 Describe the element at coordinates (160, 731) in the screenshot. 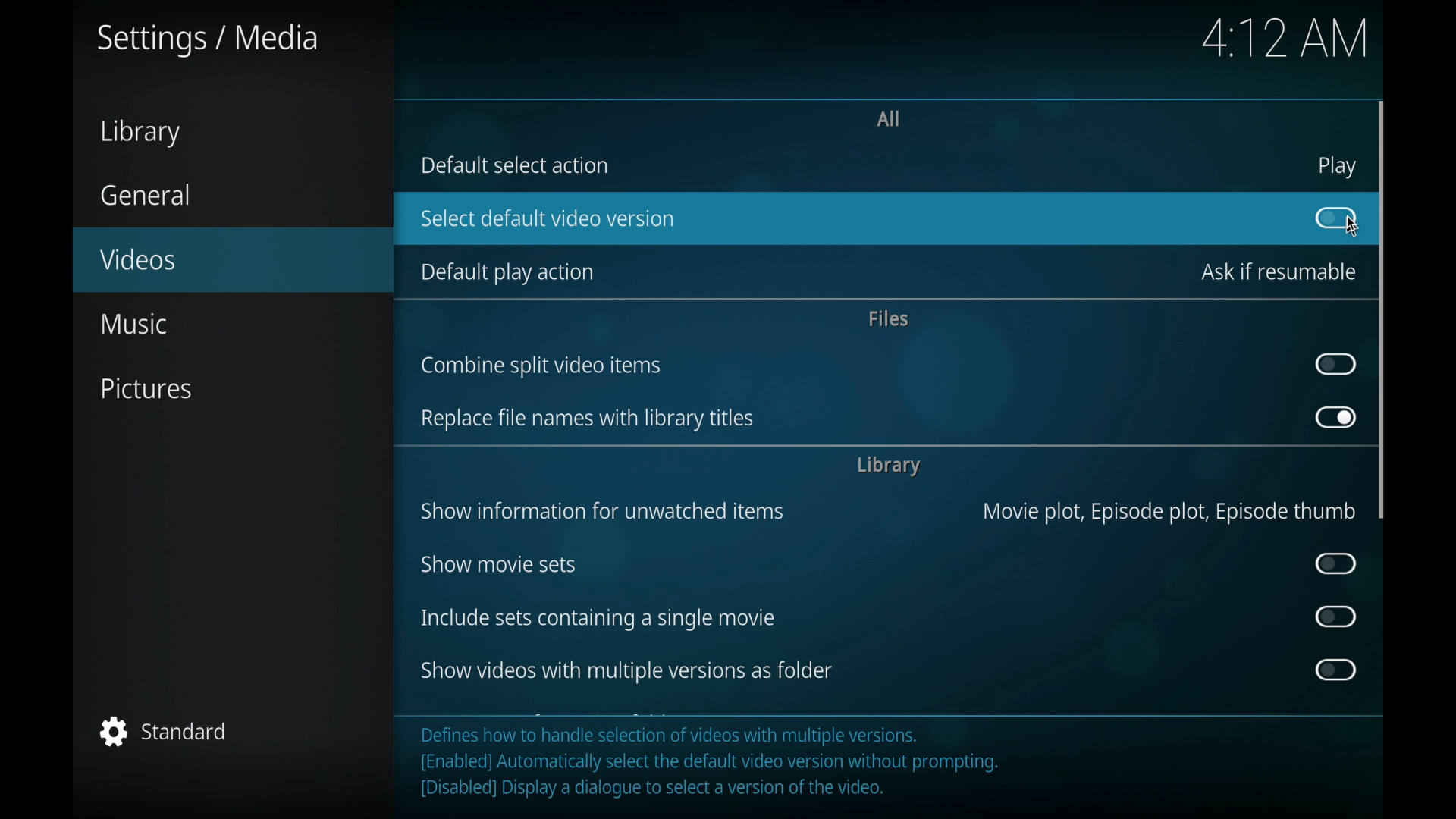

I see `standard` at that location.